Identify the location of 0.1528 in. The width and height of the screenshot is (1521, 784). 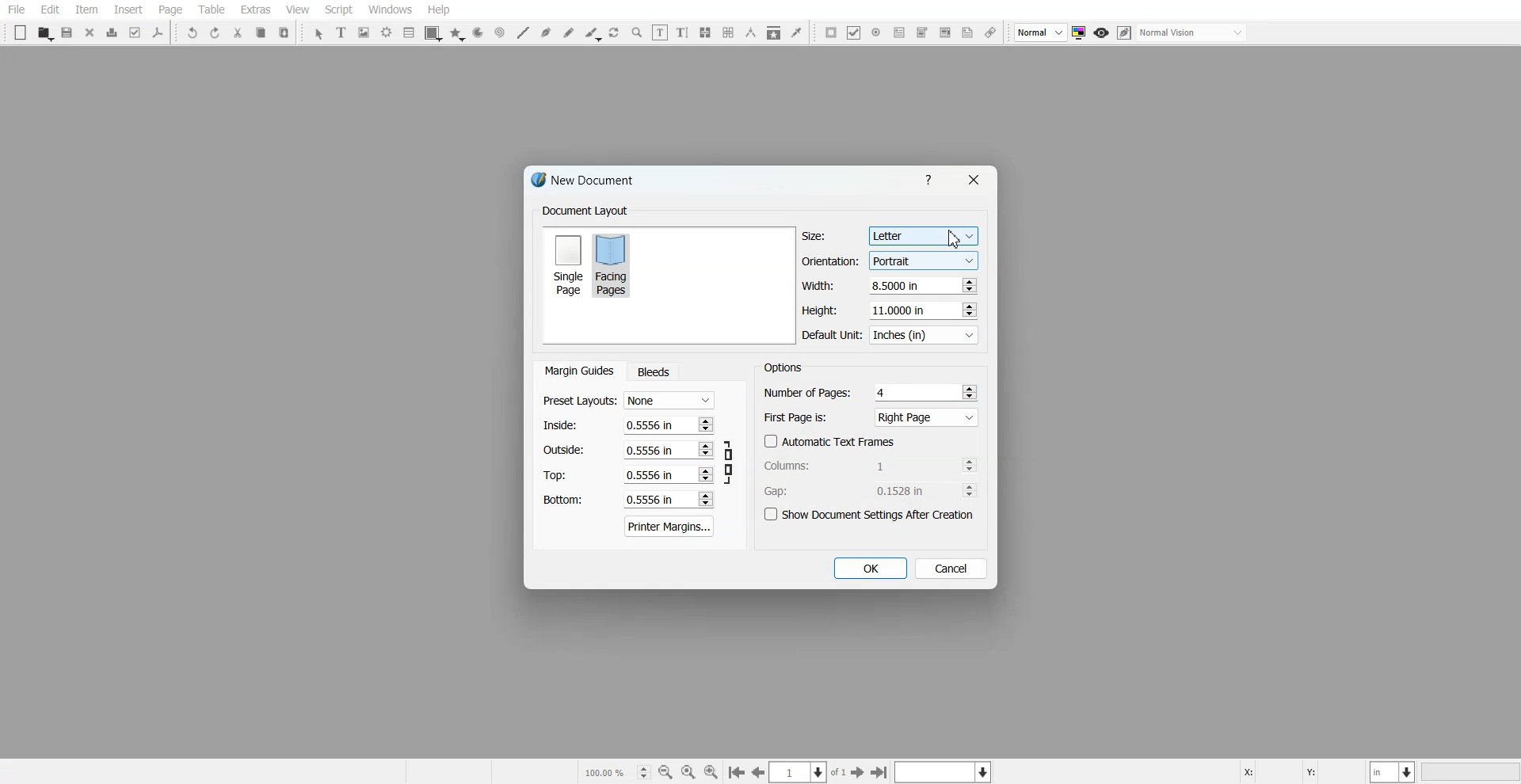
(905, 490).